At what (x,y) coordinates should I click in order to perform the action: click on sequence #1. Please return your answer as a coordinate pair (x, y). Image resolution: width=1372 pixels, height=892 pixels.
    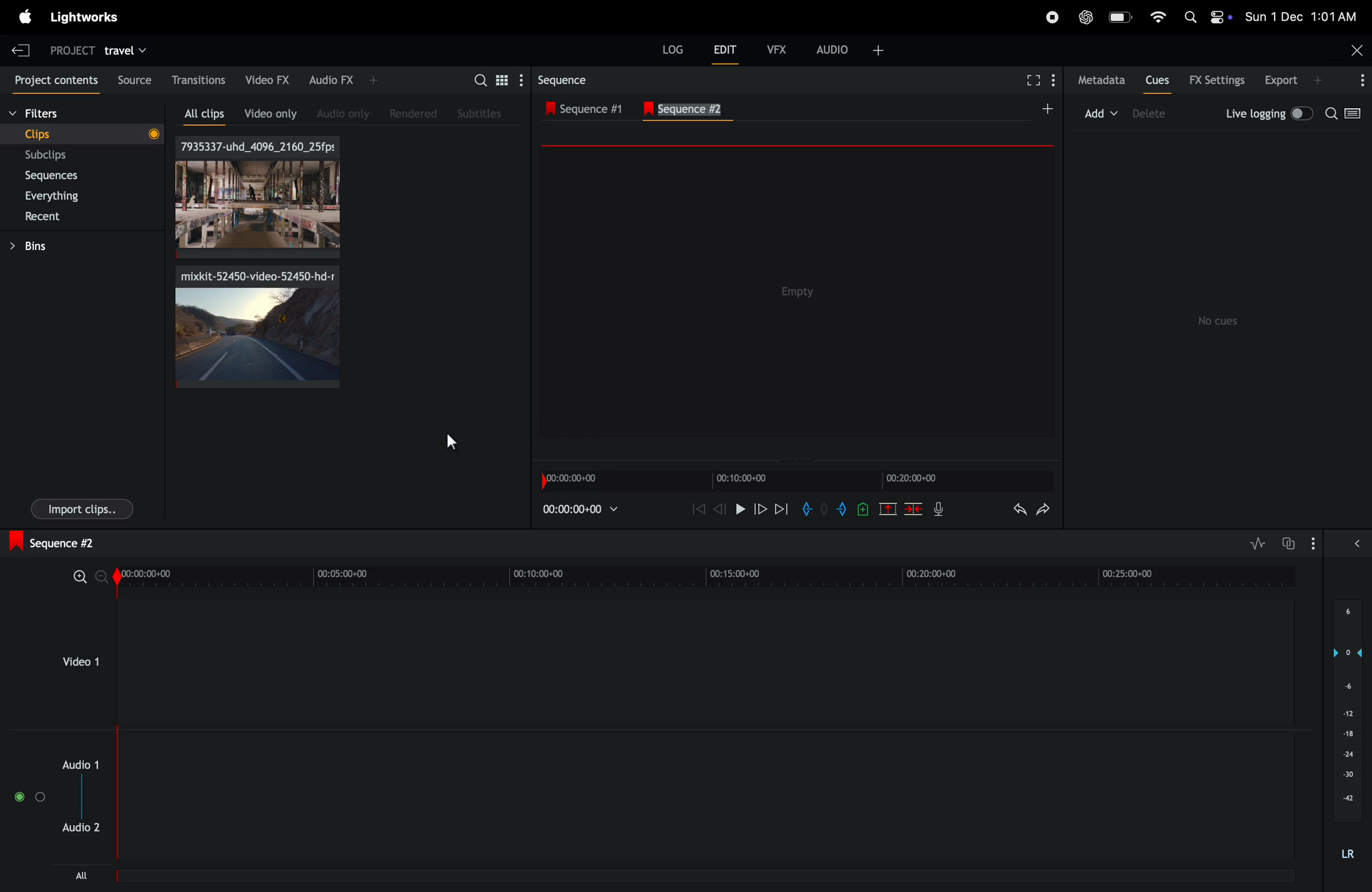
    Looking at the image, I should click on (595, 108).